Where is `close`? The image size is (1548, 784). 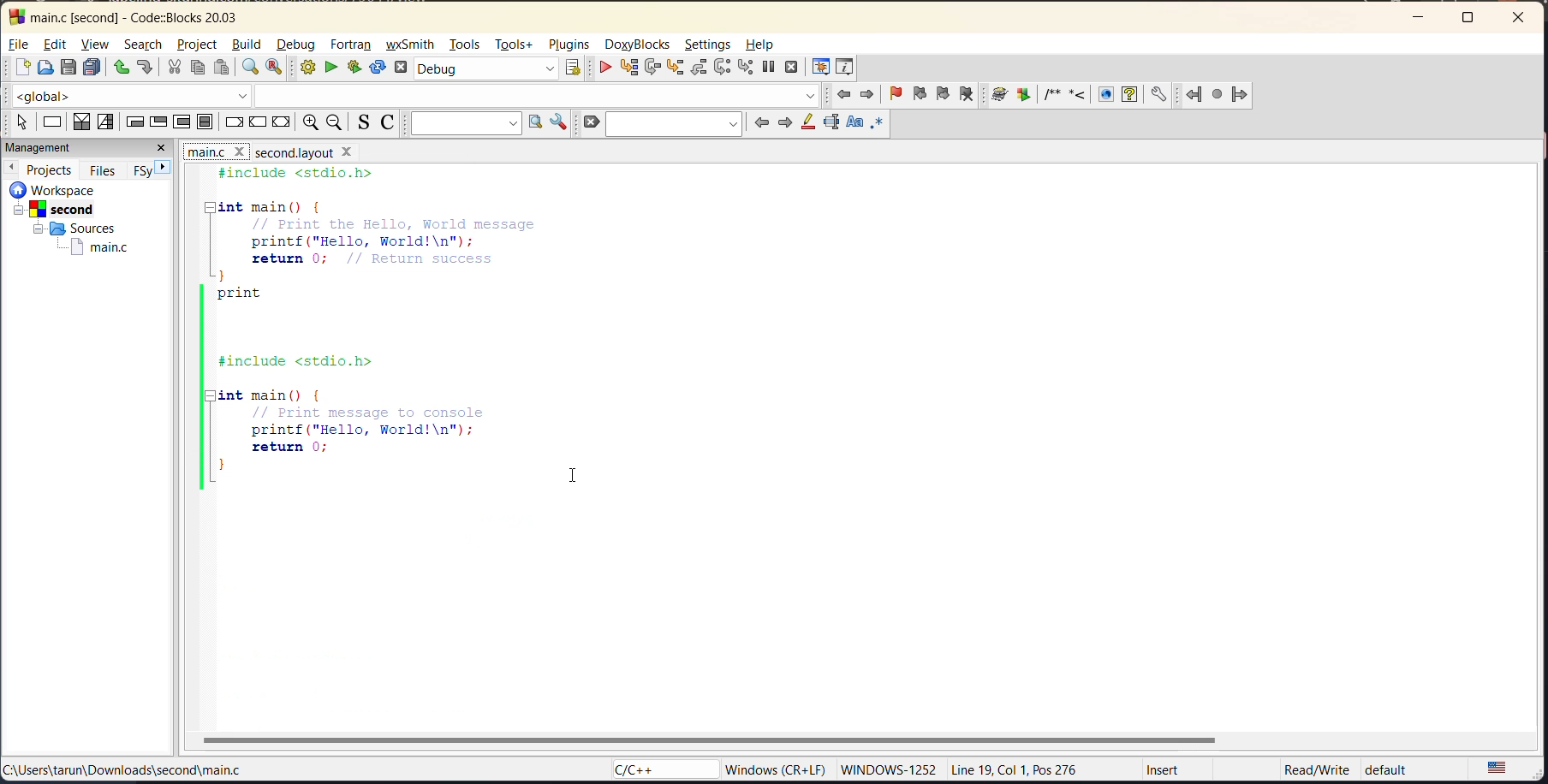
close is located at coordinates (1521, 17).